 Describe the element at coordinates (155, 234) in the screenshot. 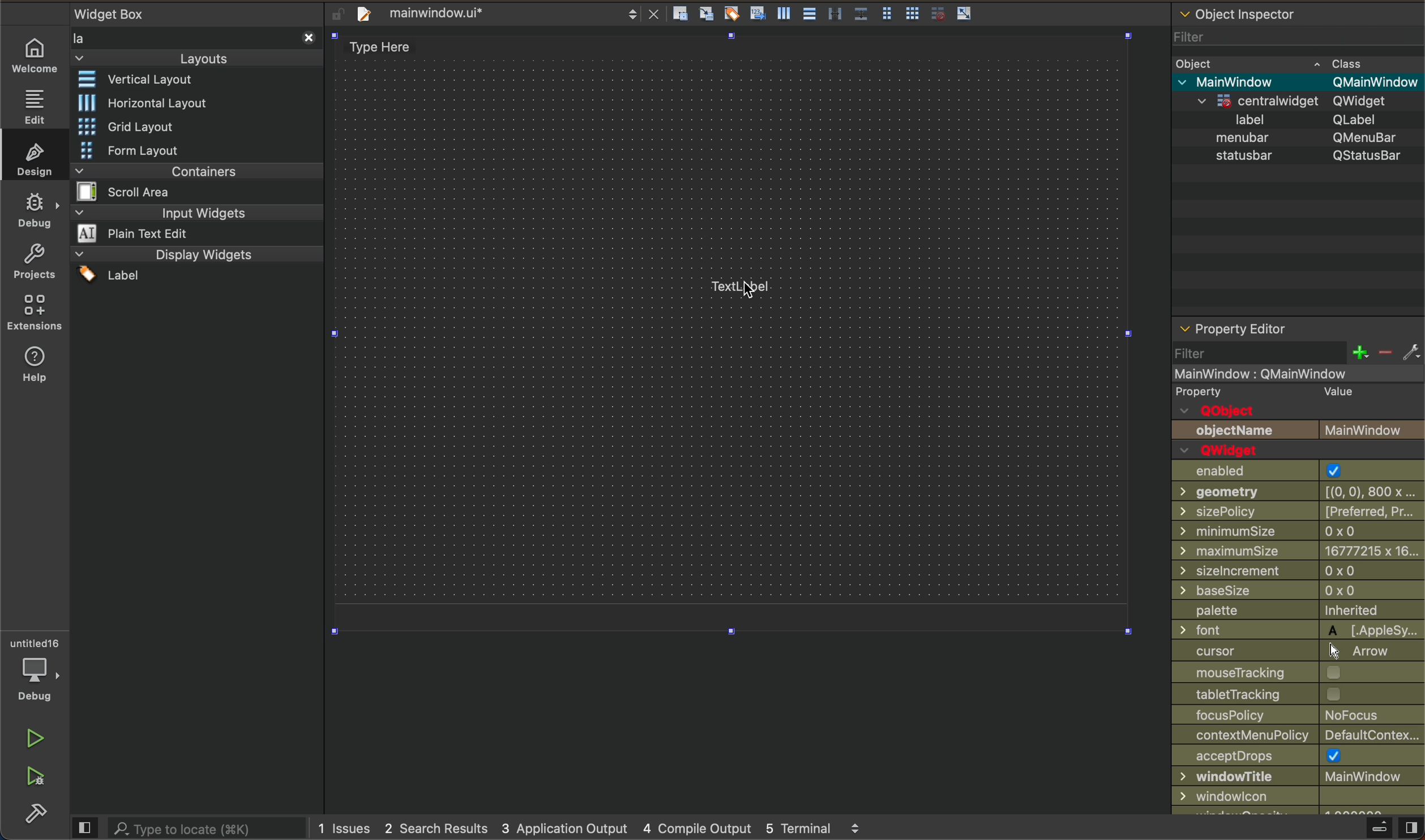

I see `plane text edit` at that location.